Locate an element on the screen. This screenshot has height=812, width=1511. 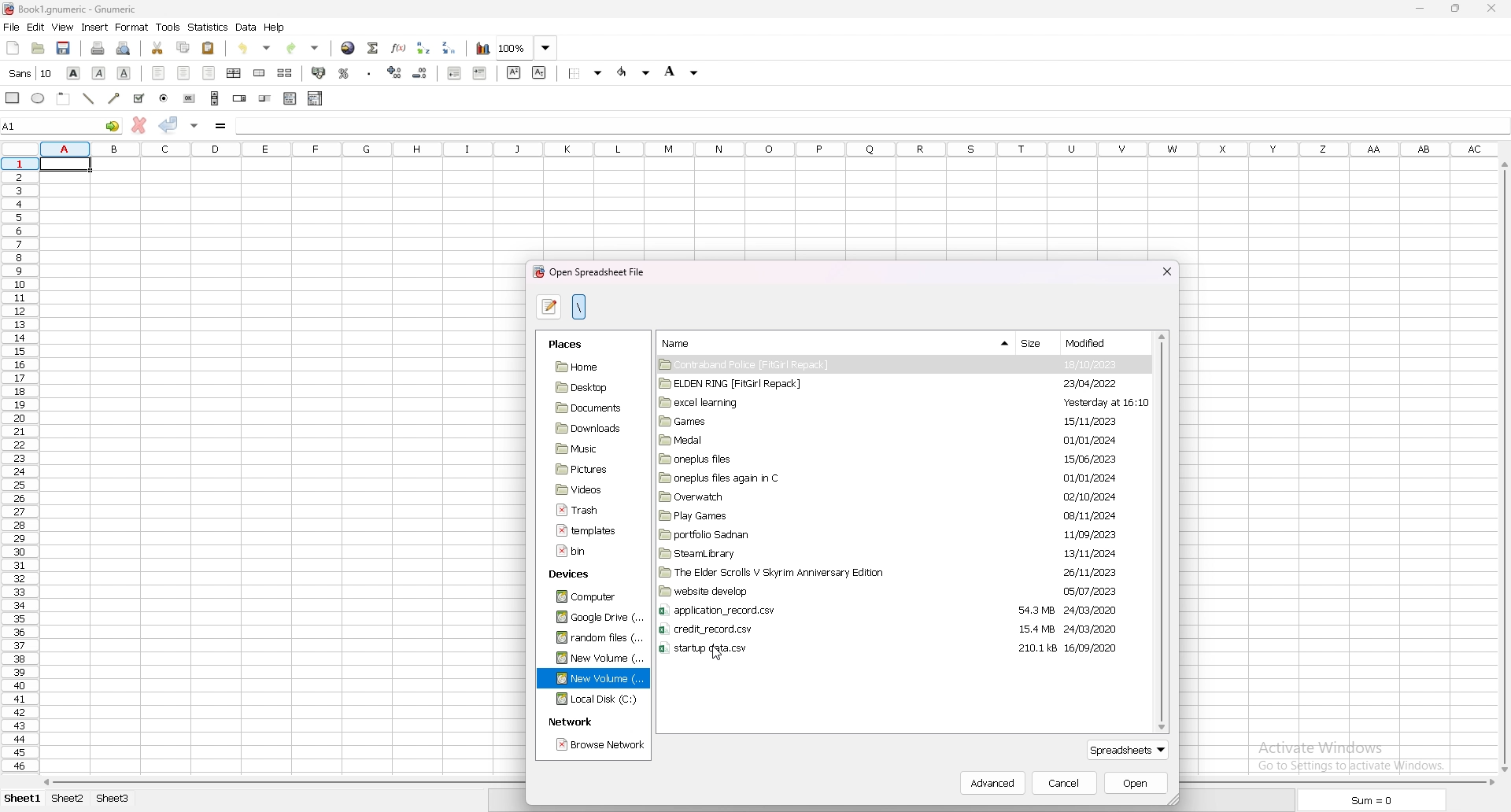
15.4 MB is located at coordinates (1035, 630).